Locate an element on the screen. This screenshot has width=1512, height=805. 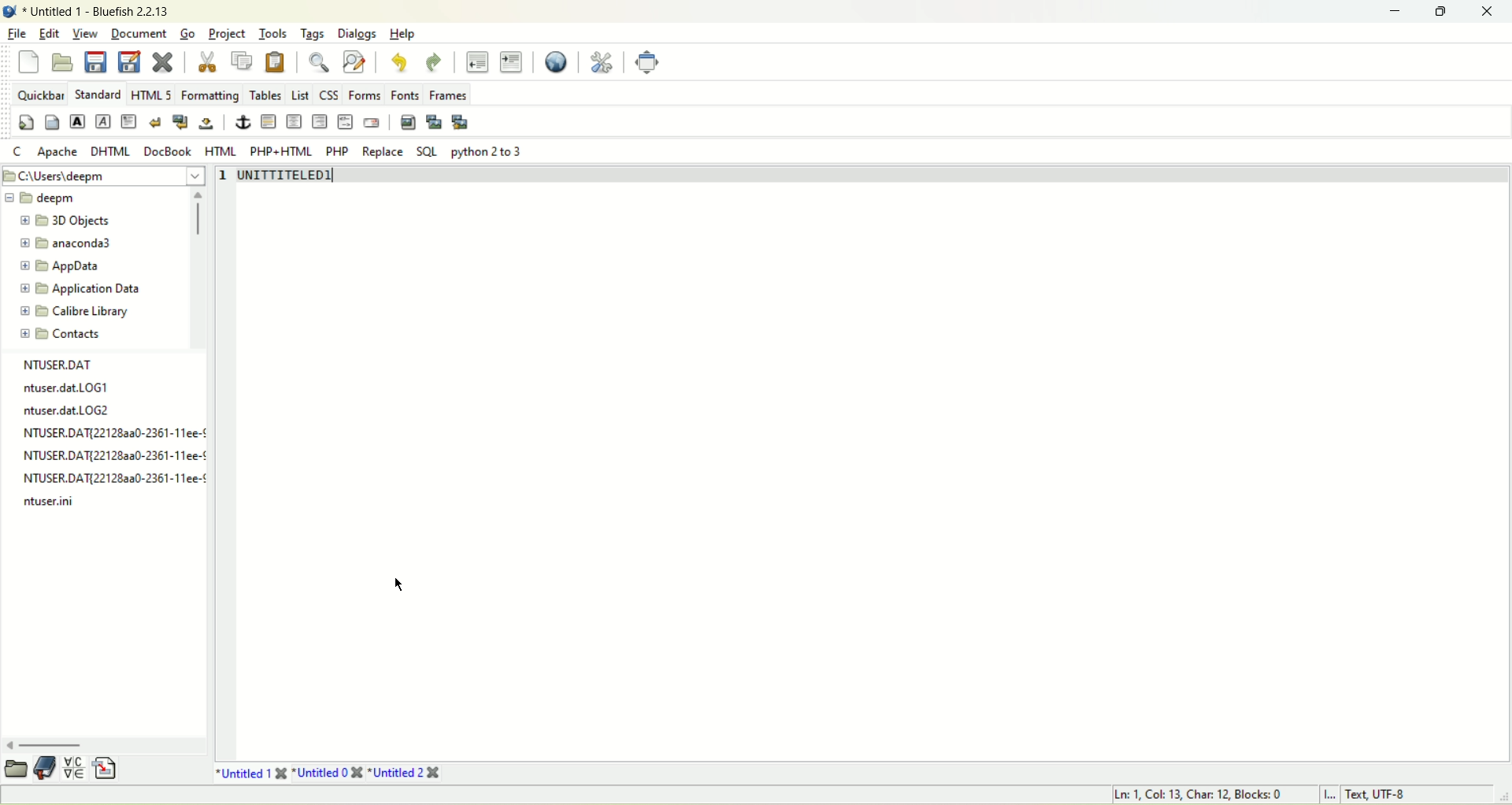
line number is located at coordinates (223, 184).